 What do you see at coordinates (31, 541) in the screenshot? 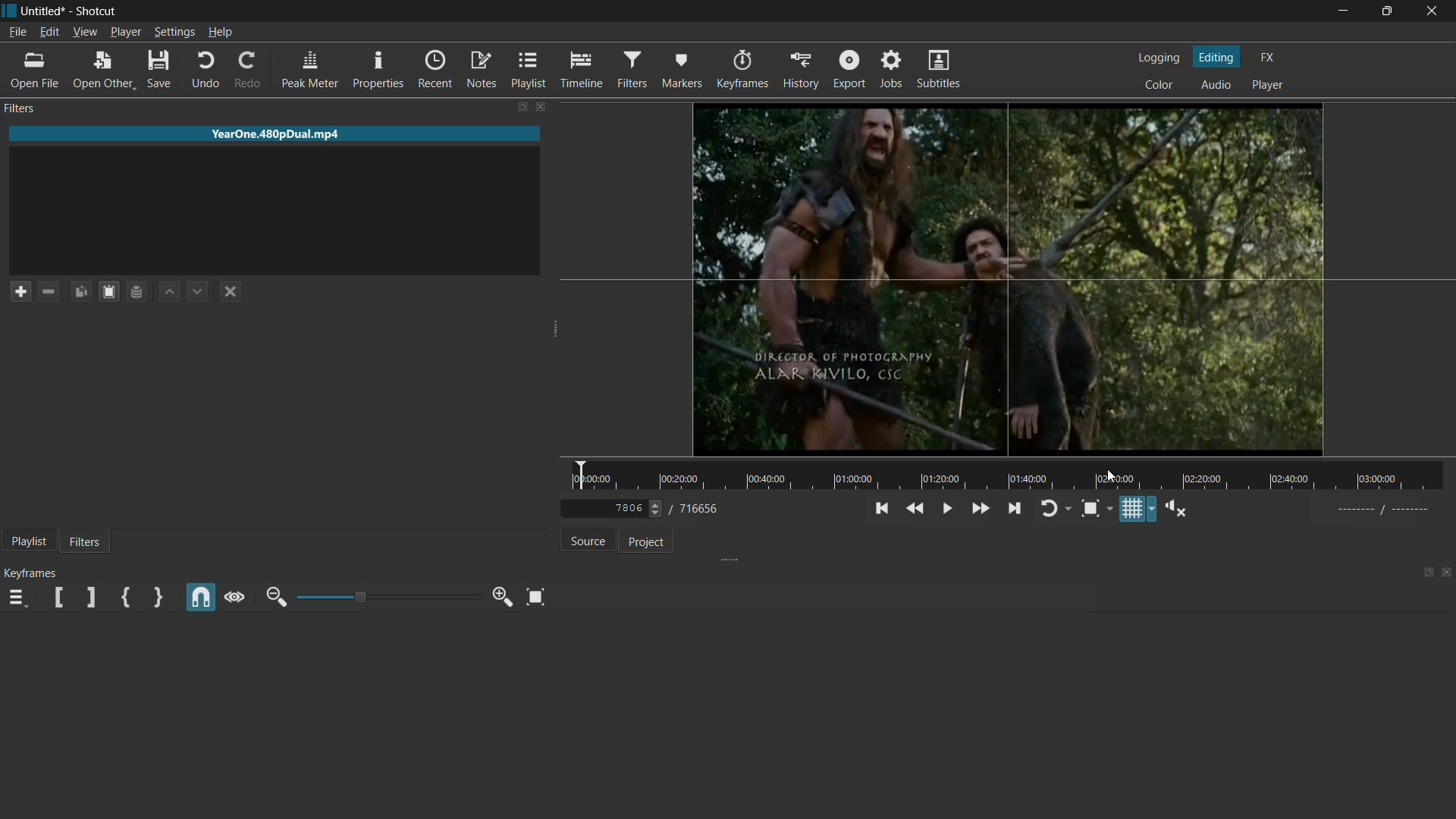
I see `playlist` at bounding box center [31, 541].